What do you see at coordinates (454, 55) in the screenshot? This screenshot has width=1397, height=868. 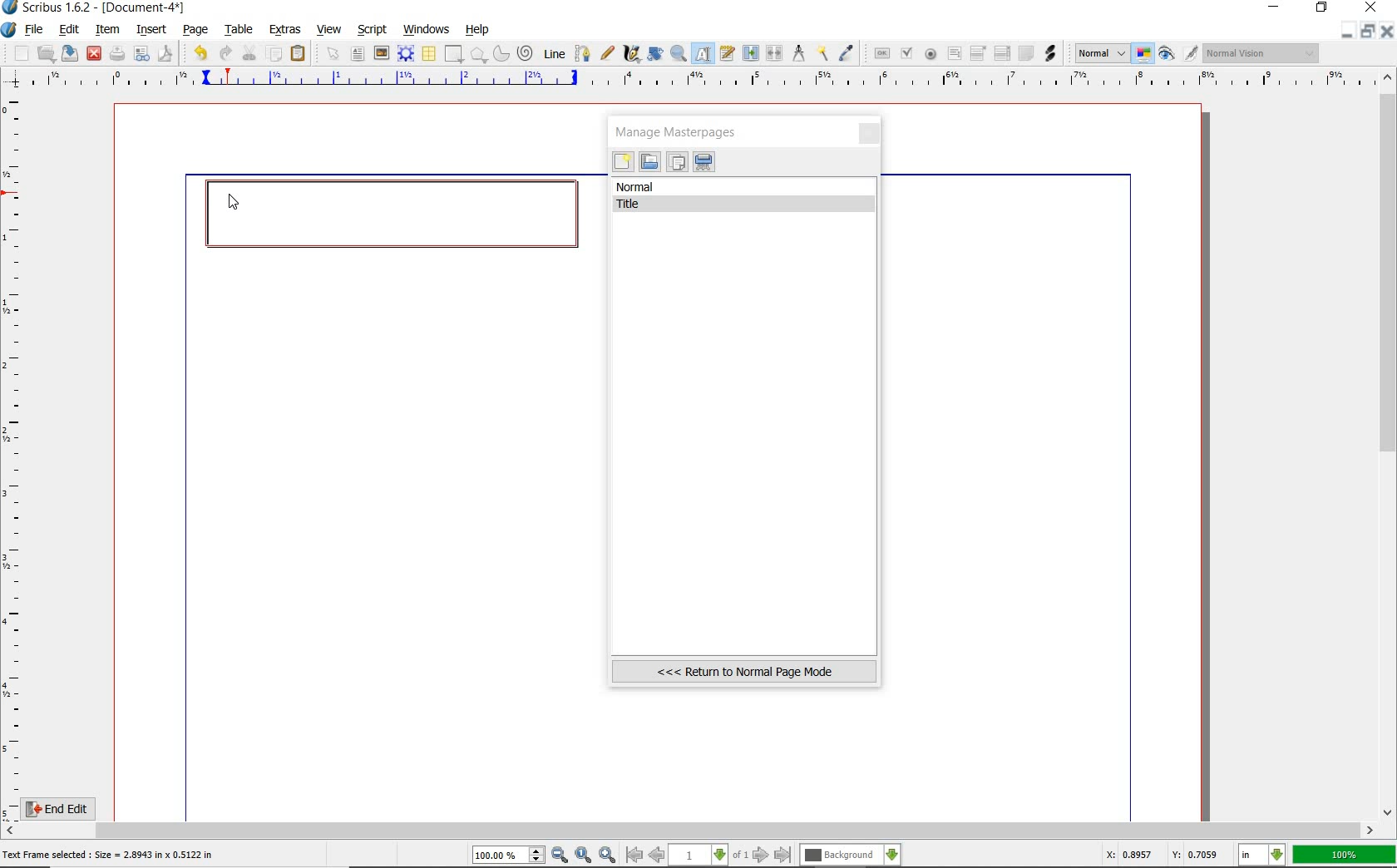 I see `shape` at bounding box center [454, 55].